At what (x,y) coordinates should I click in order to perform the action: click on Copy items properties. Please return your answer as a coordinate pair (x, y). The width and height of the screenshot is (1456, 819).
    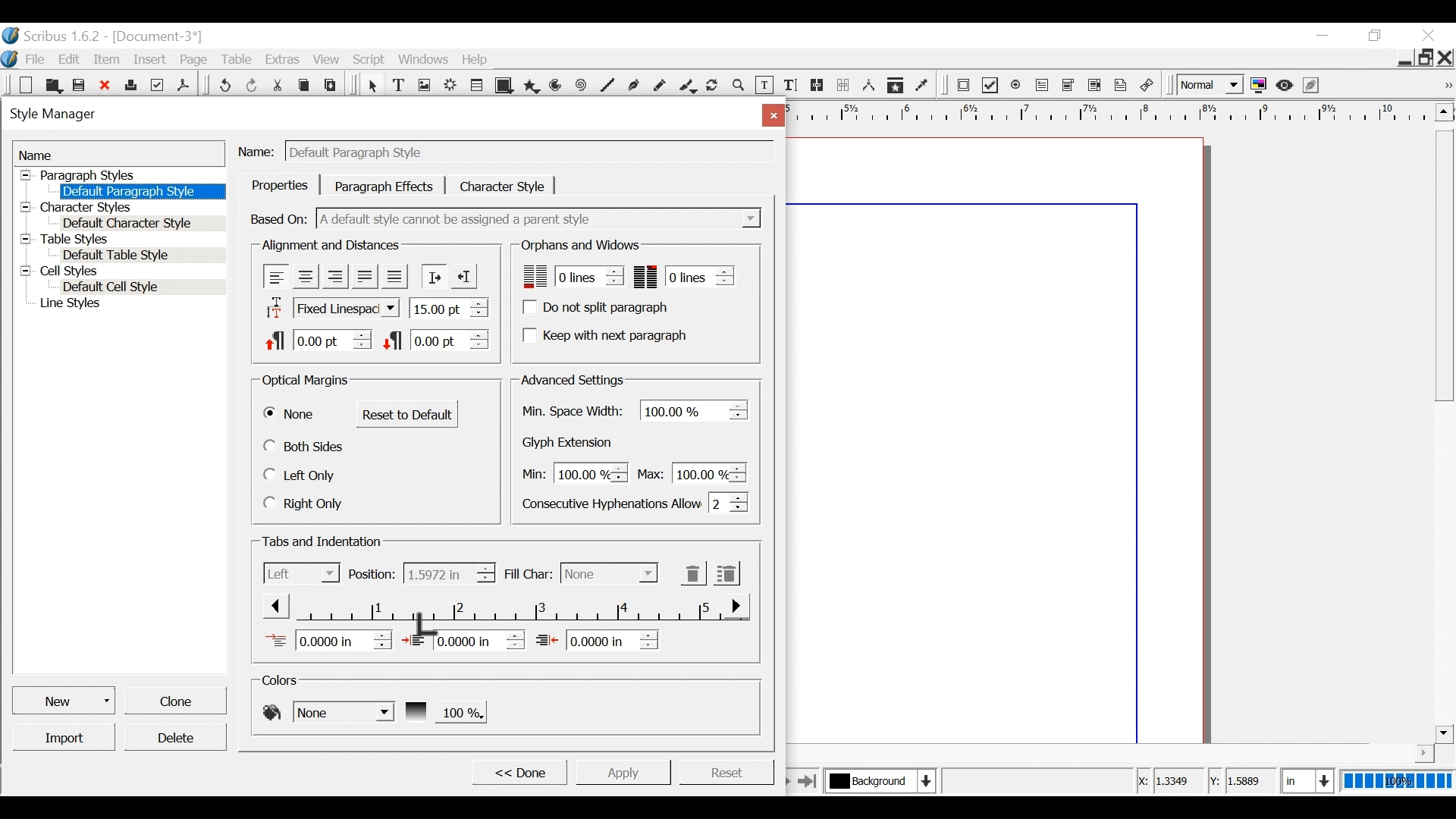
    Looking at the image, I should click on (895, 86).